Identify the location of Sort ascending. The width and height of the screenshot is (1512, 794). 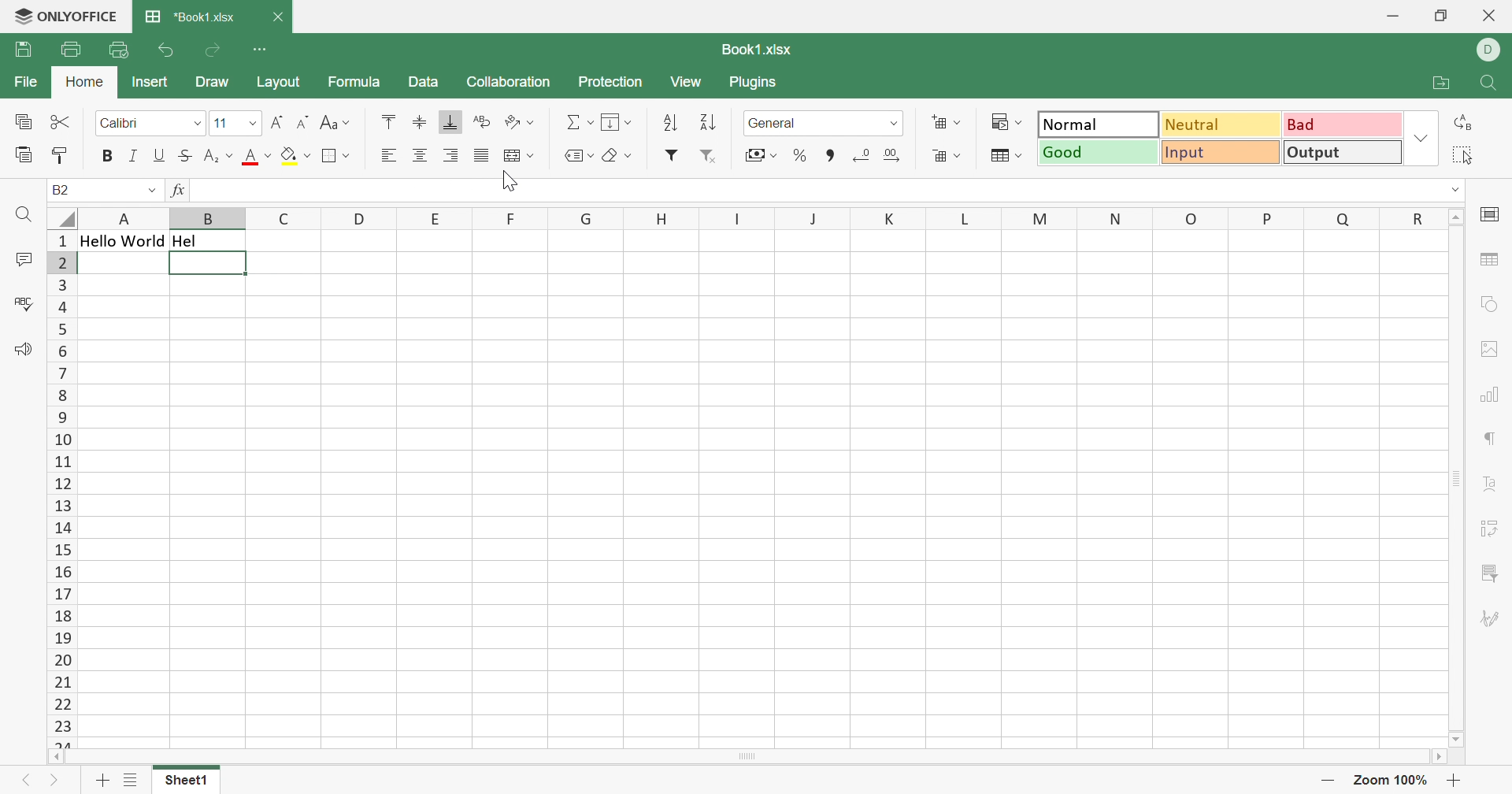
(671, 123).